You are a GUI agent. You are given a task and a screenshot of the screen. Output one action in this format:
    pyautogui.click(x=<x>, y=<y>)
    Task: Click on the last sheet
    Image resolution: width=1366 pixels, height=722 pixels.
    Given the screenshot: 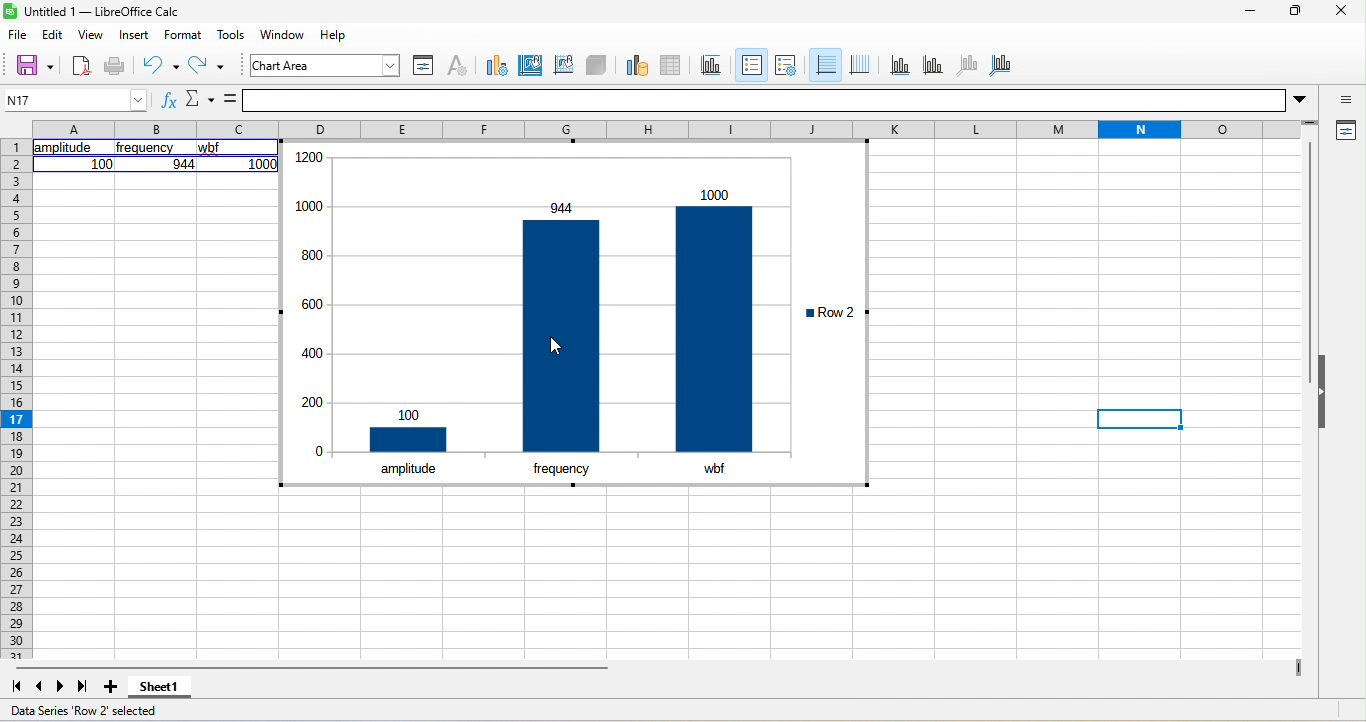 What is the action you would take?
    pyautogui.click(x=86, y=688)
    